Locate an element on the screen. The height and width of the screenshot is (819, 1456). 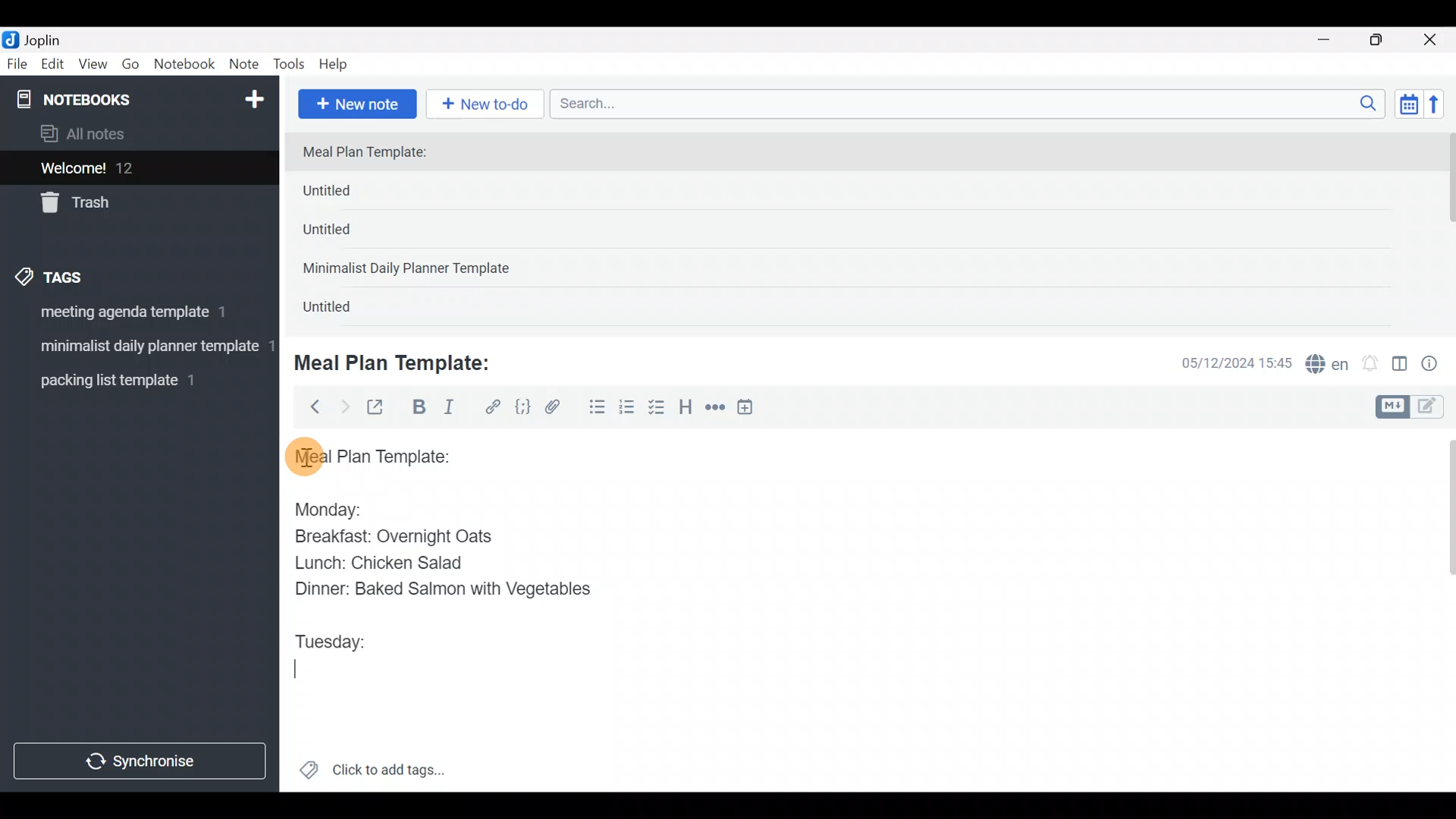
New to-do is located at coordinates (488, 105).